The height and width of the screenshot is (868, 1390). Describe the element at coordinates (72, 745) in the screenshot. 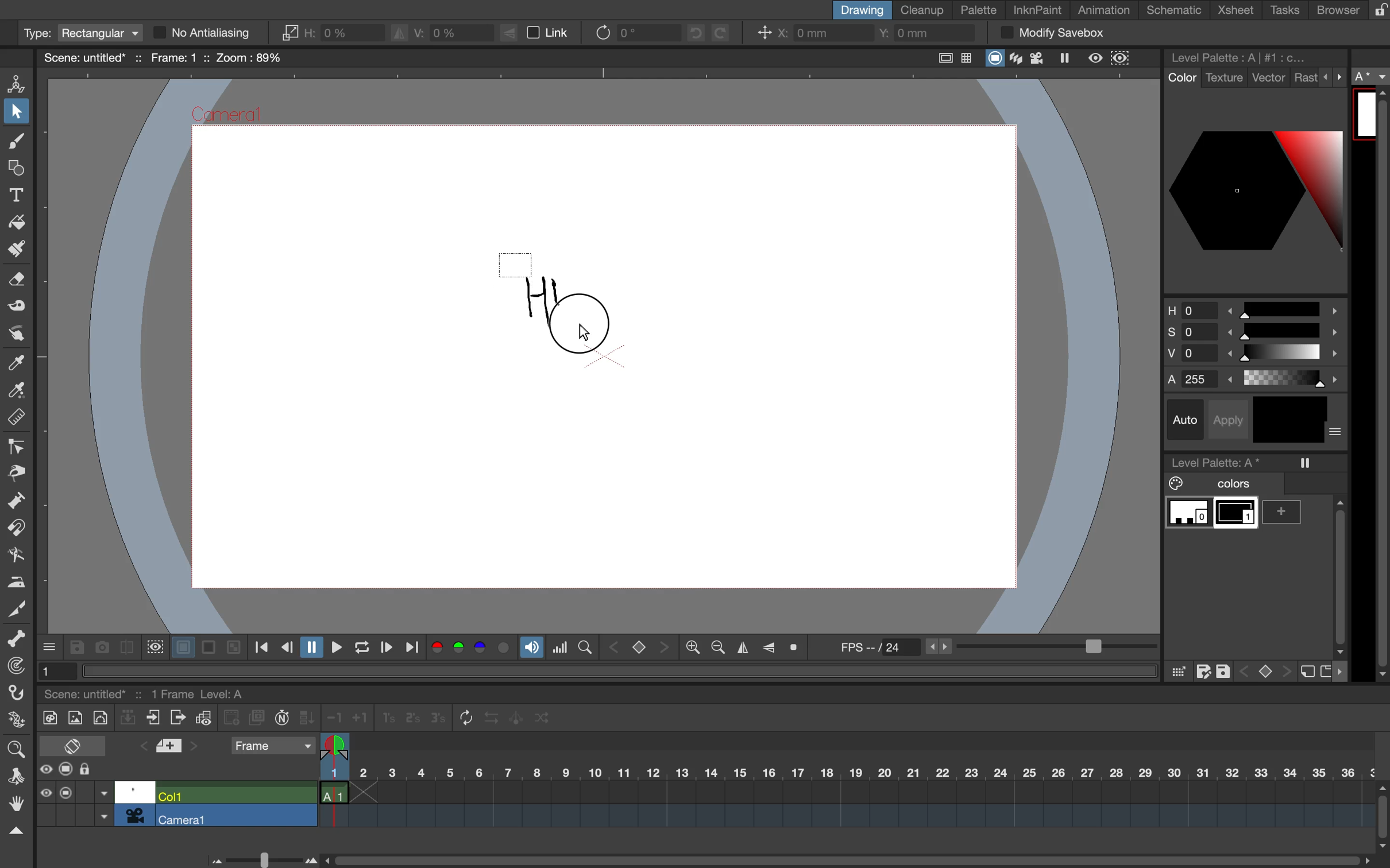

I see `toggle x sheet timeline` at that location.